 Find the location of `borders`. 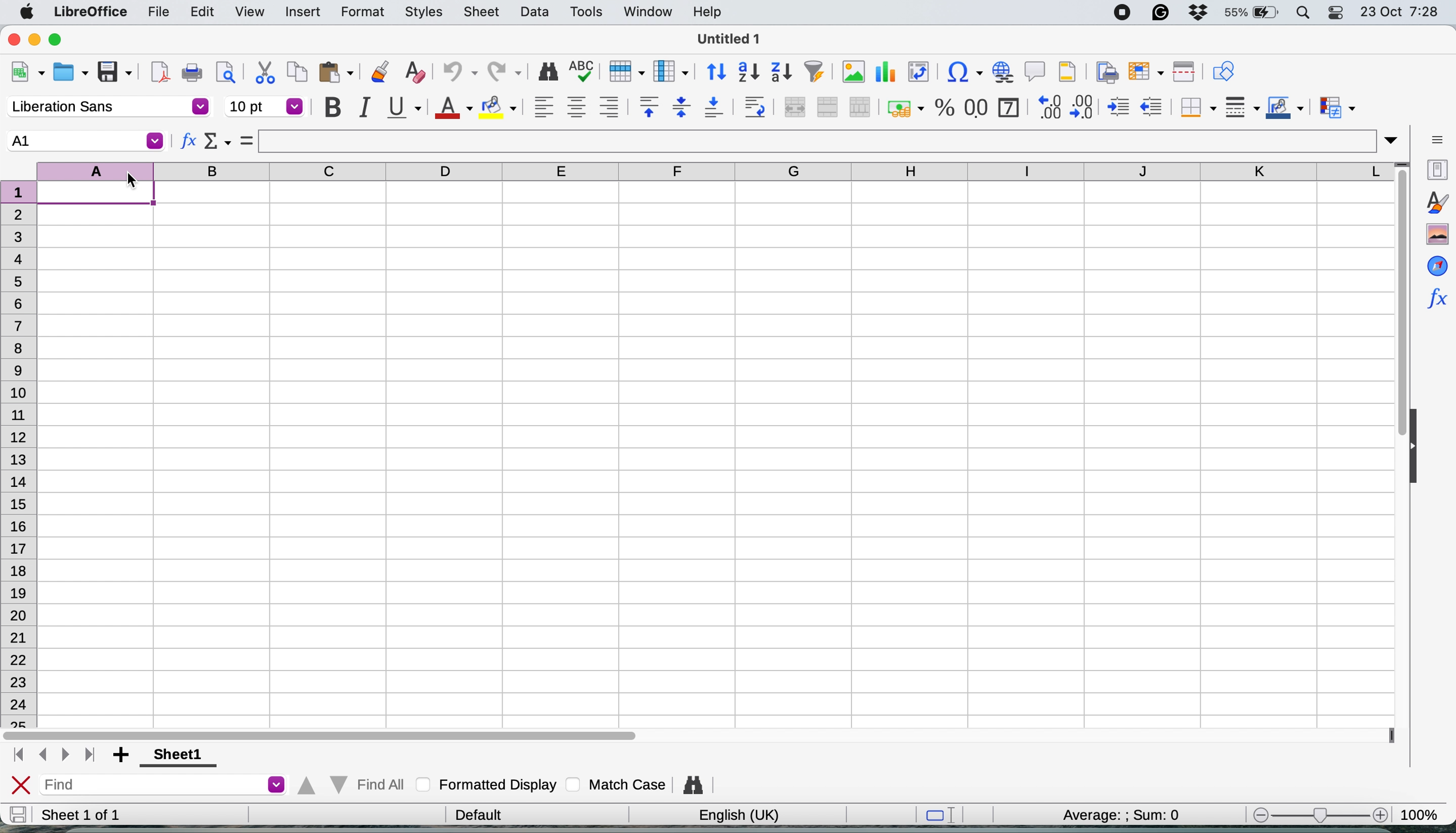

borders is located at coordinates (1195, 106).